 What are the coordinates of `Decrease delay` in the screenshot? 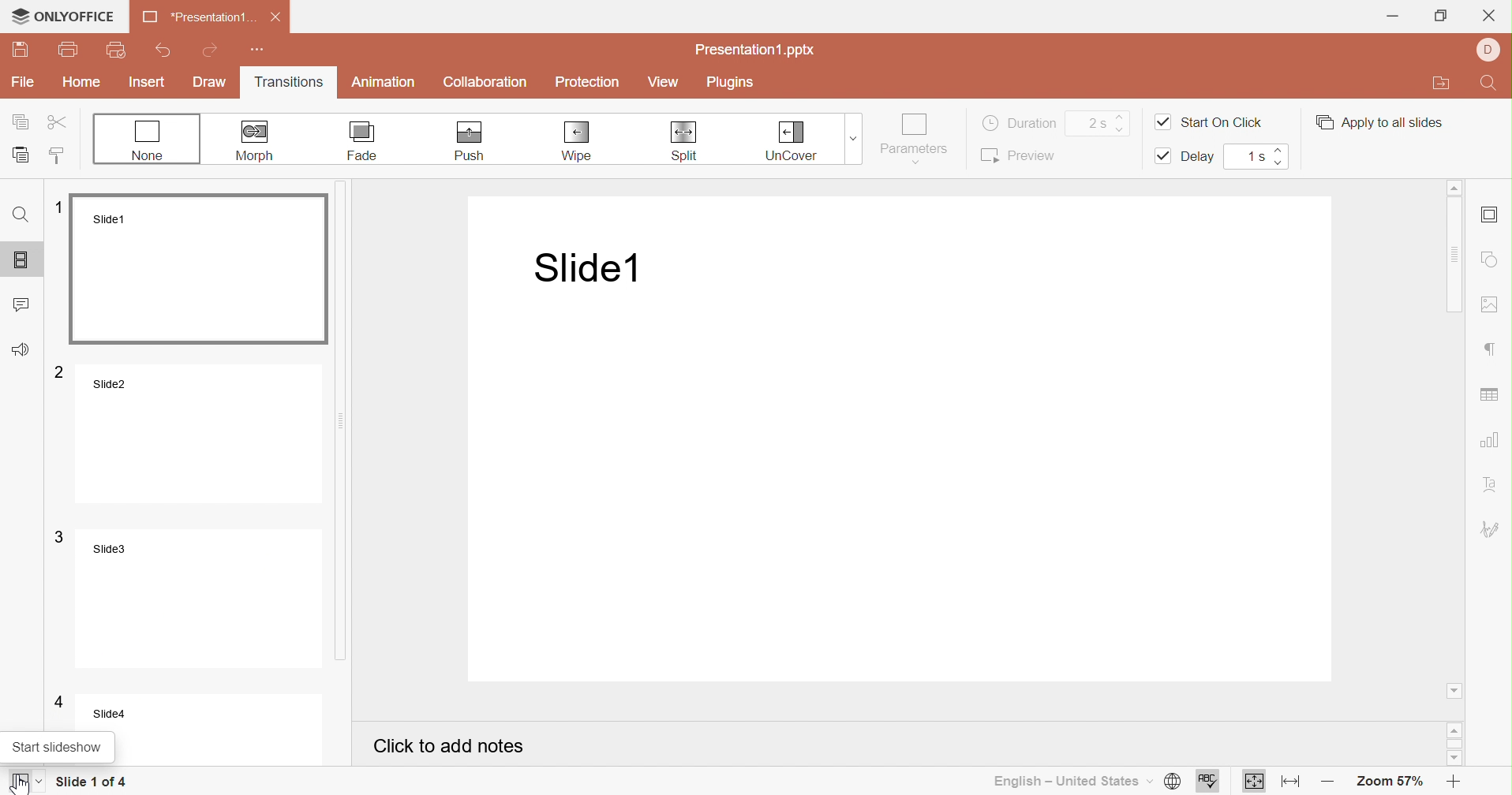 It's located at (1283, 163).